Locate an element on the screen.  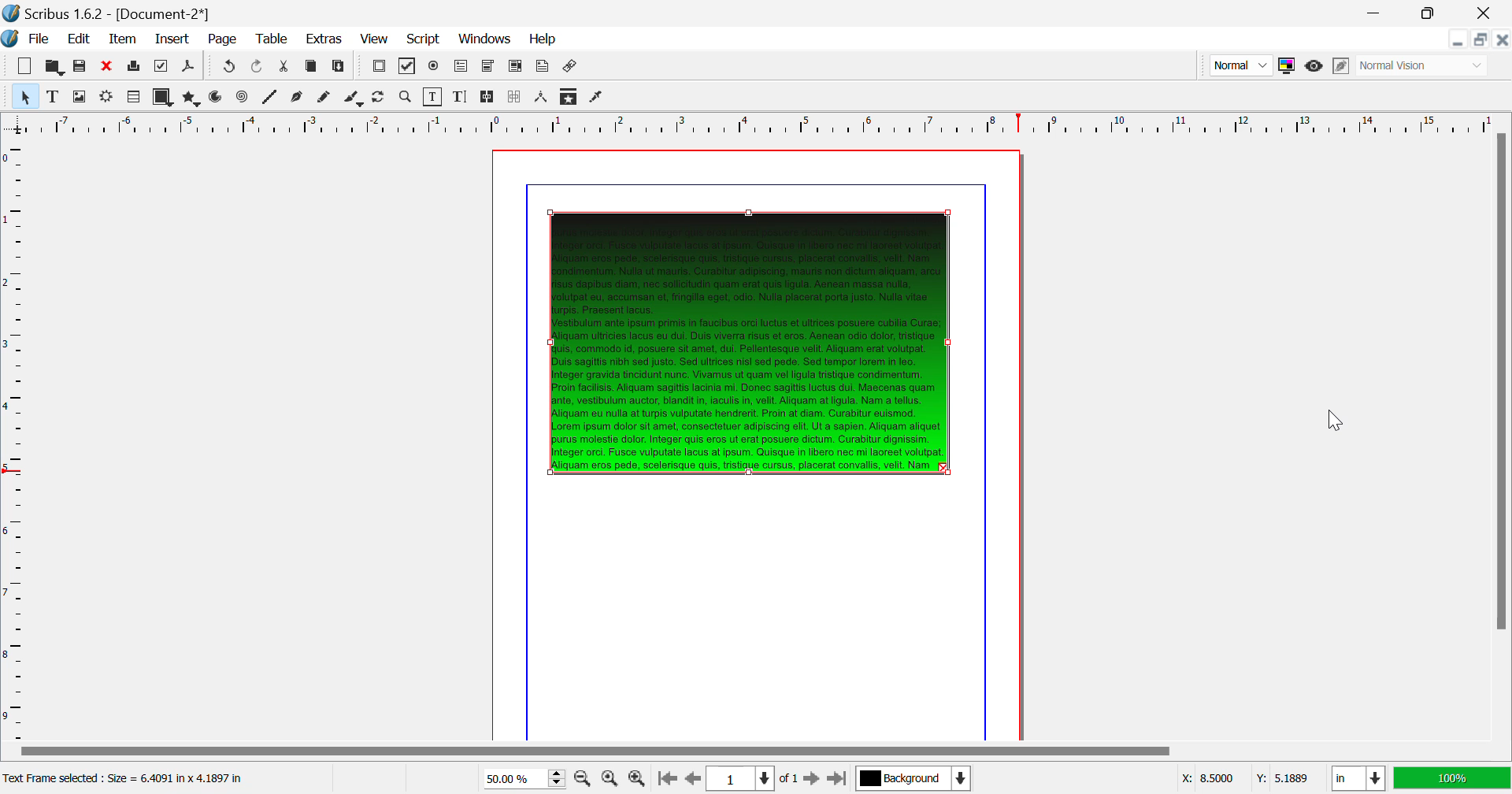
Print is located at coordinates (135, 66).